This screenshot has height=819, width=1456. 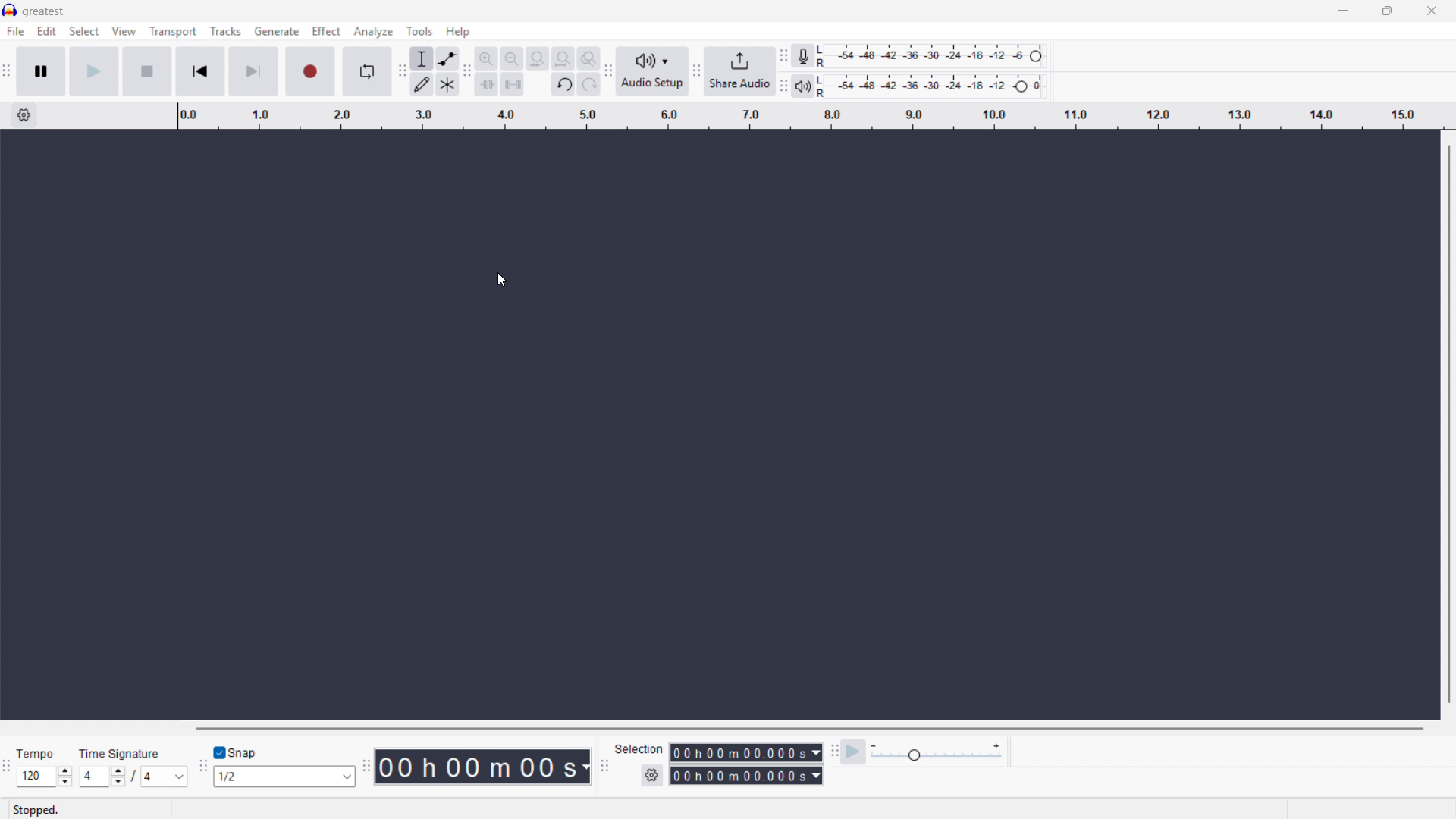 I want to click on Audio setup toolbar , so click(x=609, y=72).